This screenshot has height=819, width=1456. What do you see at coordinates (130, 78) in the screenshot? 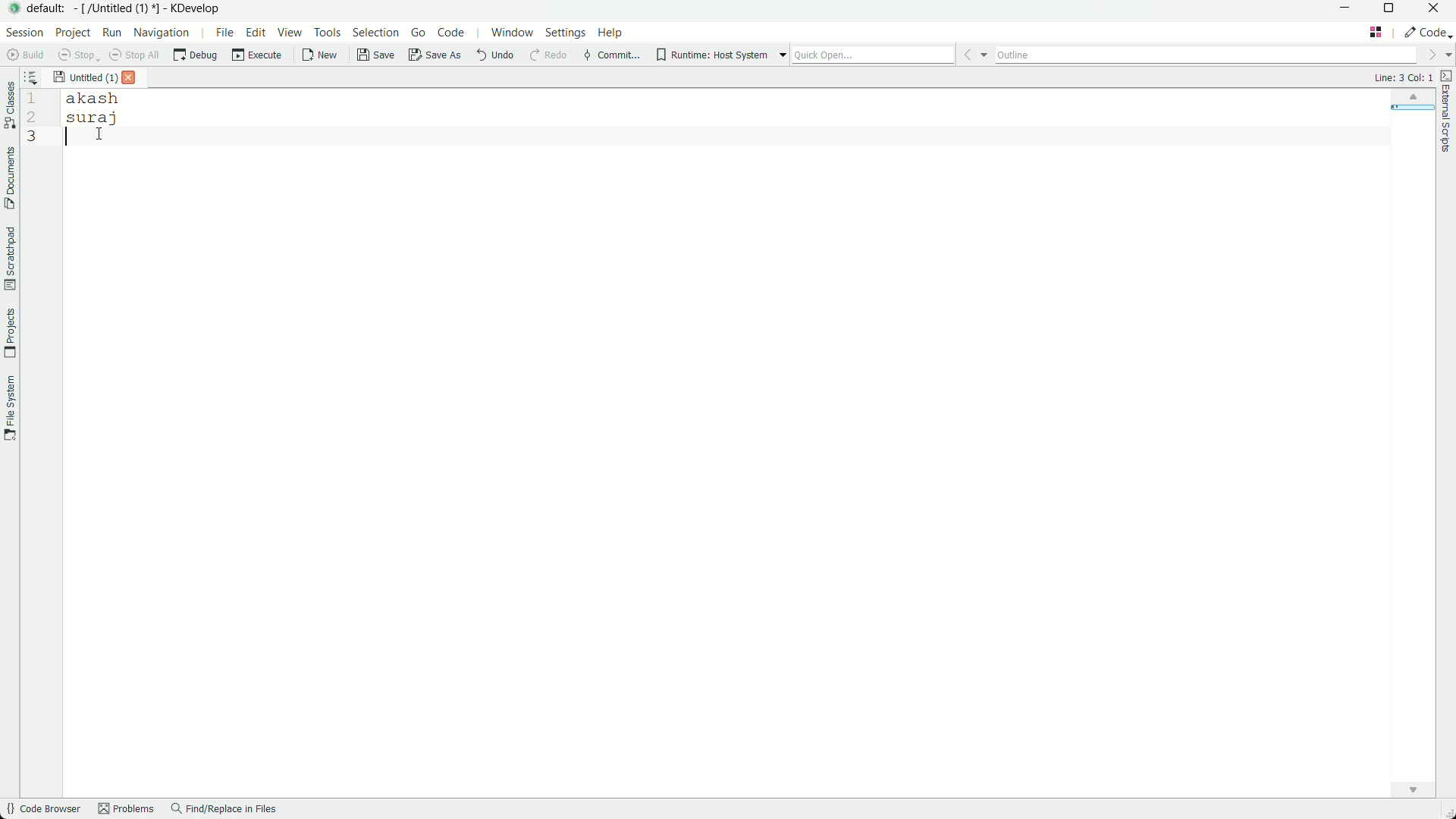
I see `close file` at bounding box center [130, 78].